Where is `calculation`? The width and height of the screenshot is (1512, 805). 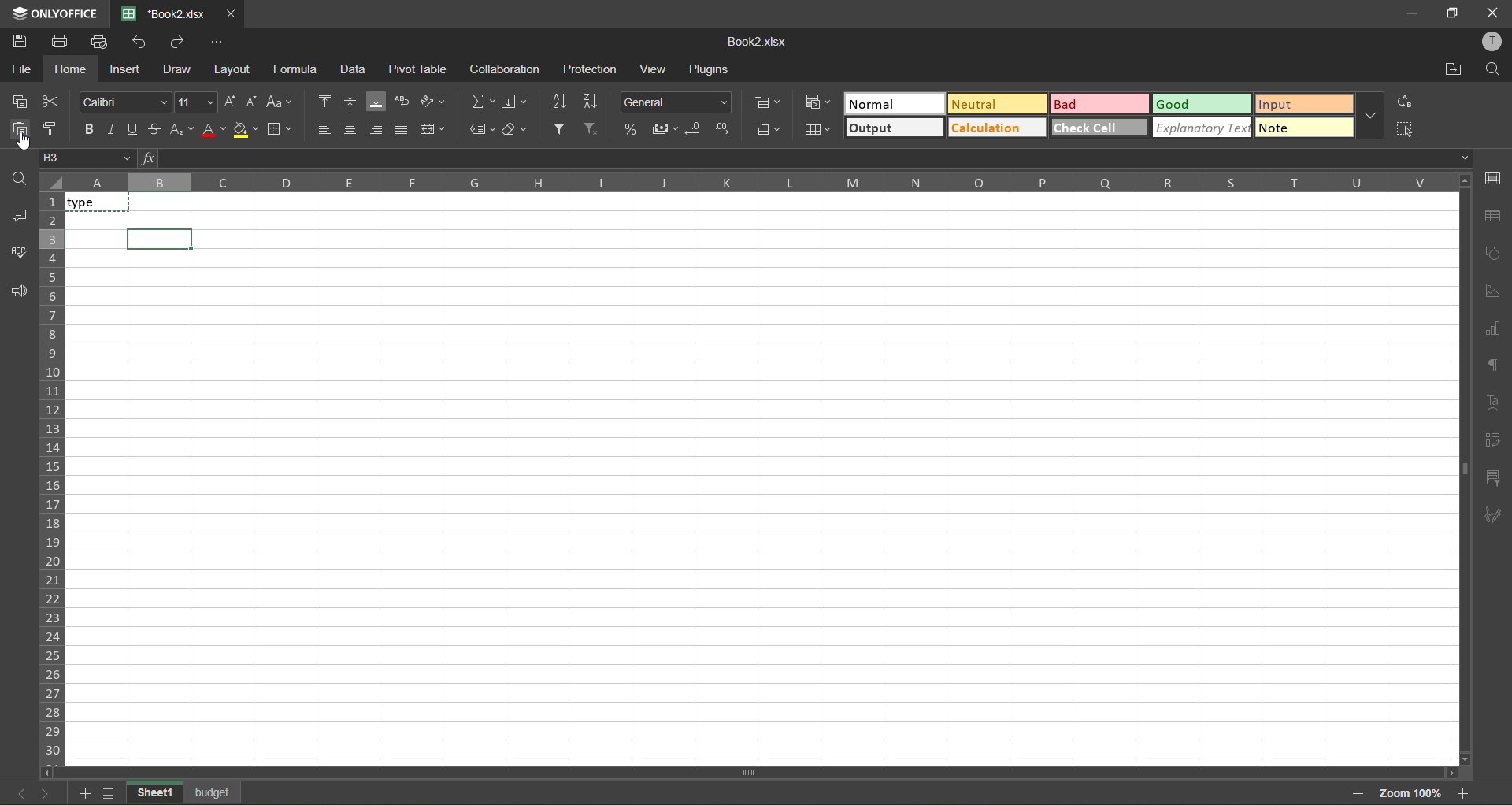
calculation is located at coordinates (994, 128).